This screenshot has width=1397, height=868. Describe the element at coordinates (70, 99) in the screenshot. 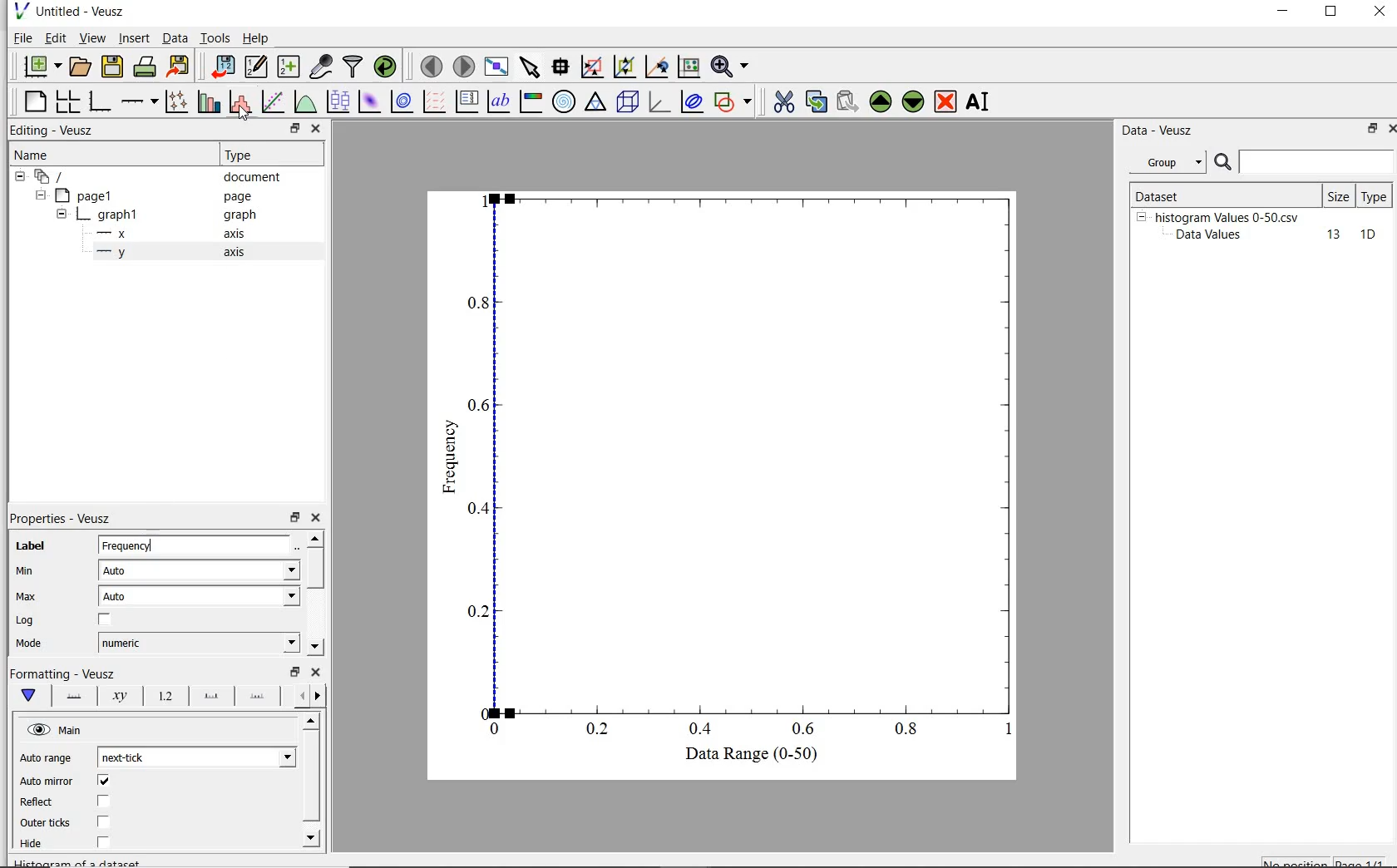

I see `arrange graphs in a grid ` at that location.